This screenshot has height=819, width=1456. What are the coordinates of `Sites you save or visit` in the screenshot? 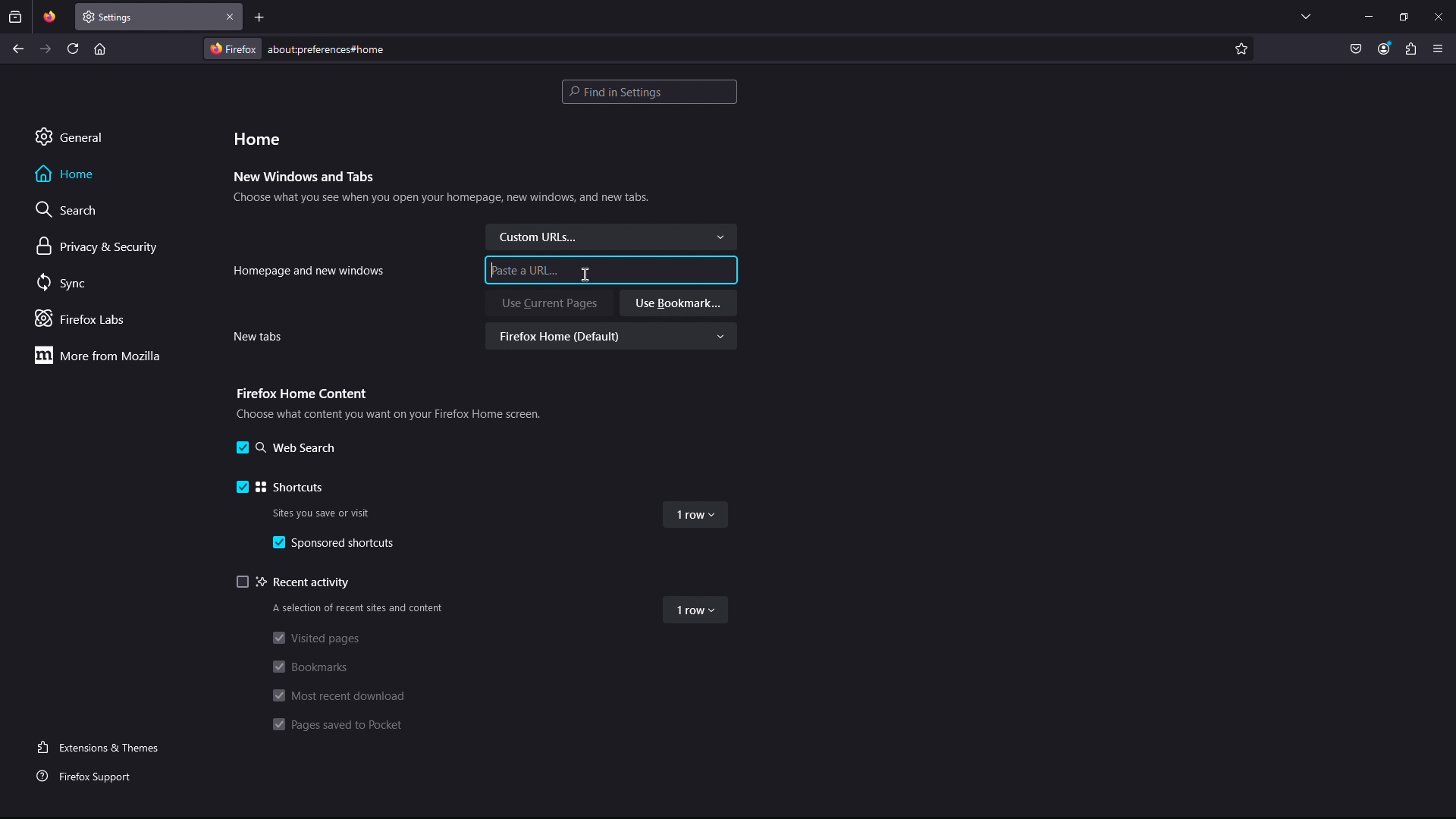 It's located at (325, 511).